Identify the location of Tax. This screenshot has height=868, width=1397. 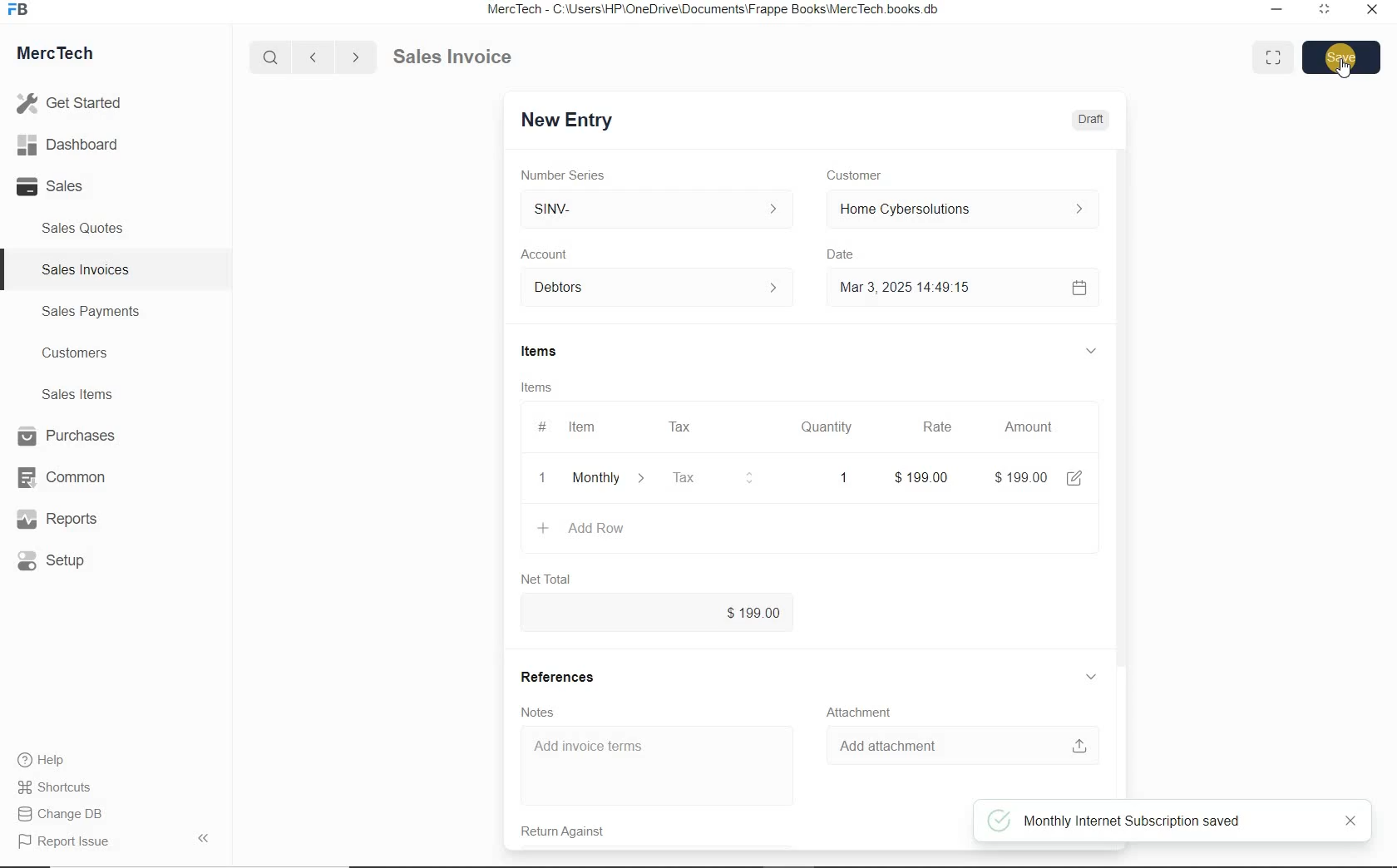
(714, 476).